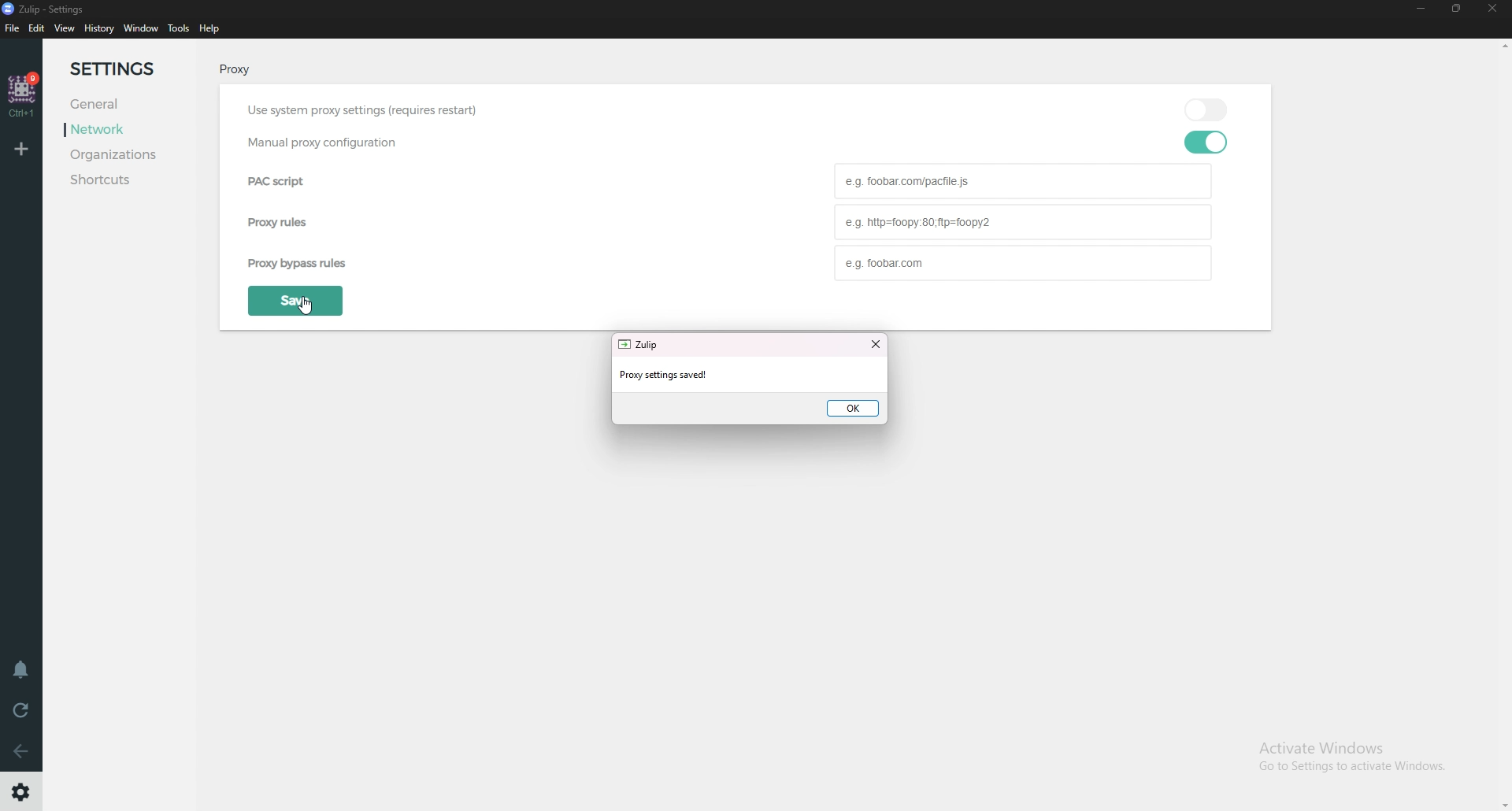 The height and width of the screenshot is (811, 1512). Describe the element at coordinates (106, 105) in the screenshot. I see `General` at that location.